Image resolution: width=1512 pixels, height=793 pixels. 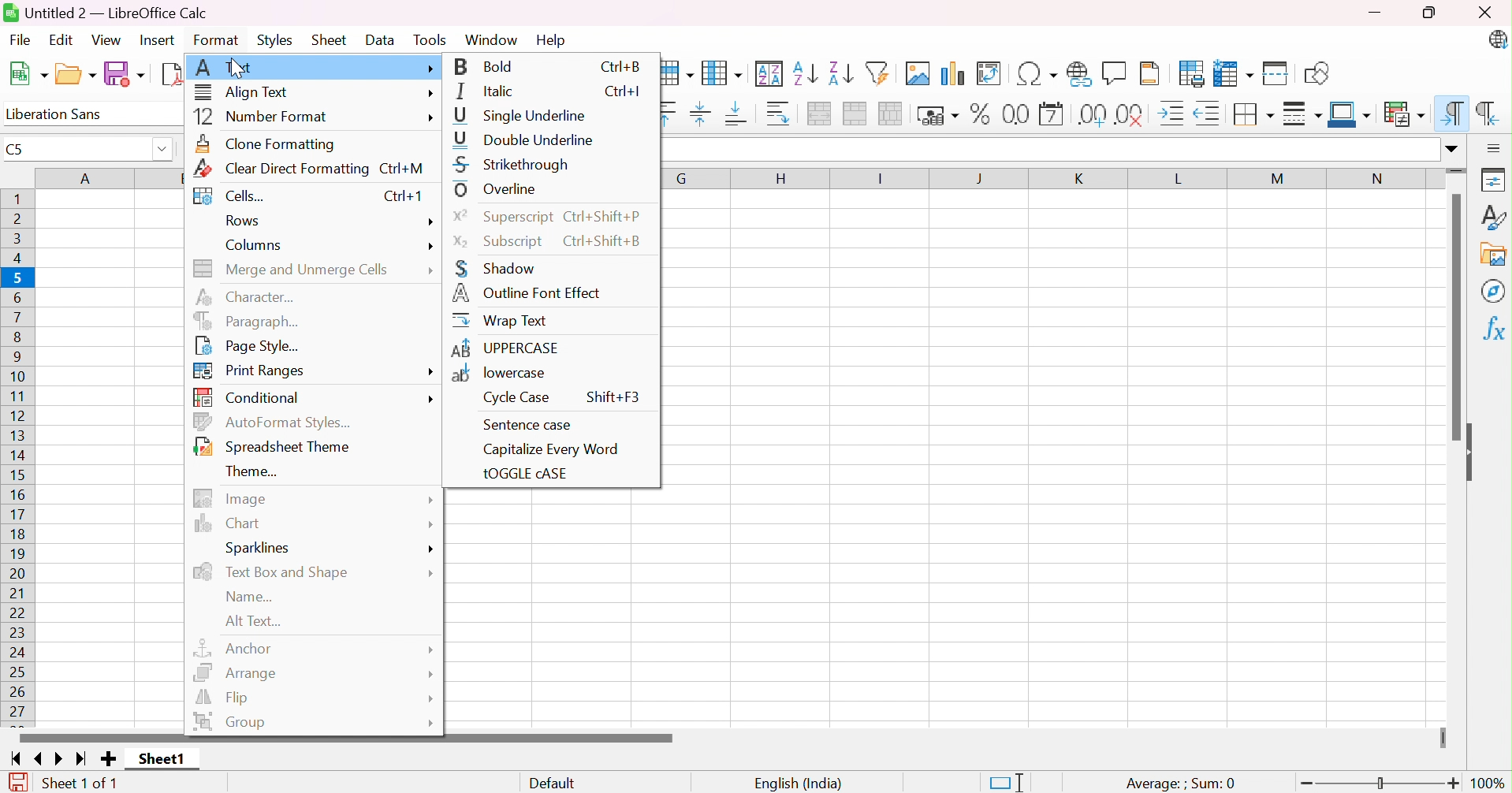 I want to click on Export as PDF, so click(x=172, y=75).